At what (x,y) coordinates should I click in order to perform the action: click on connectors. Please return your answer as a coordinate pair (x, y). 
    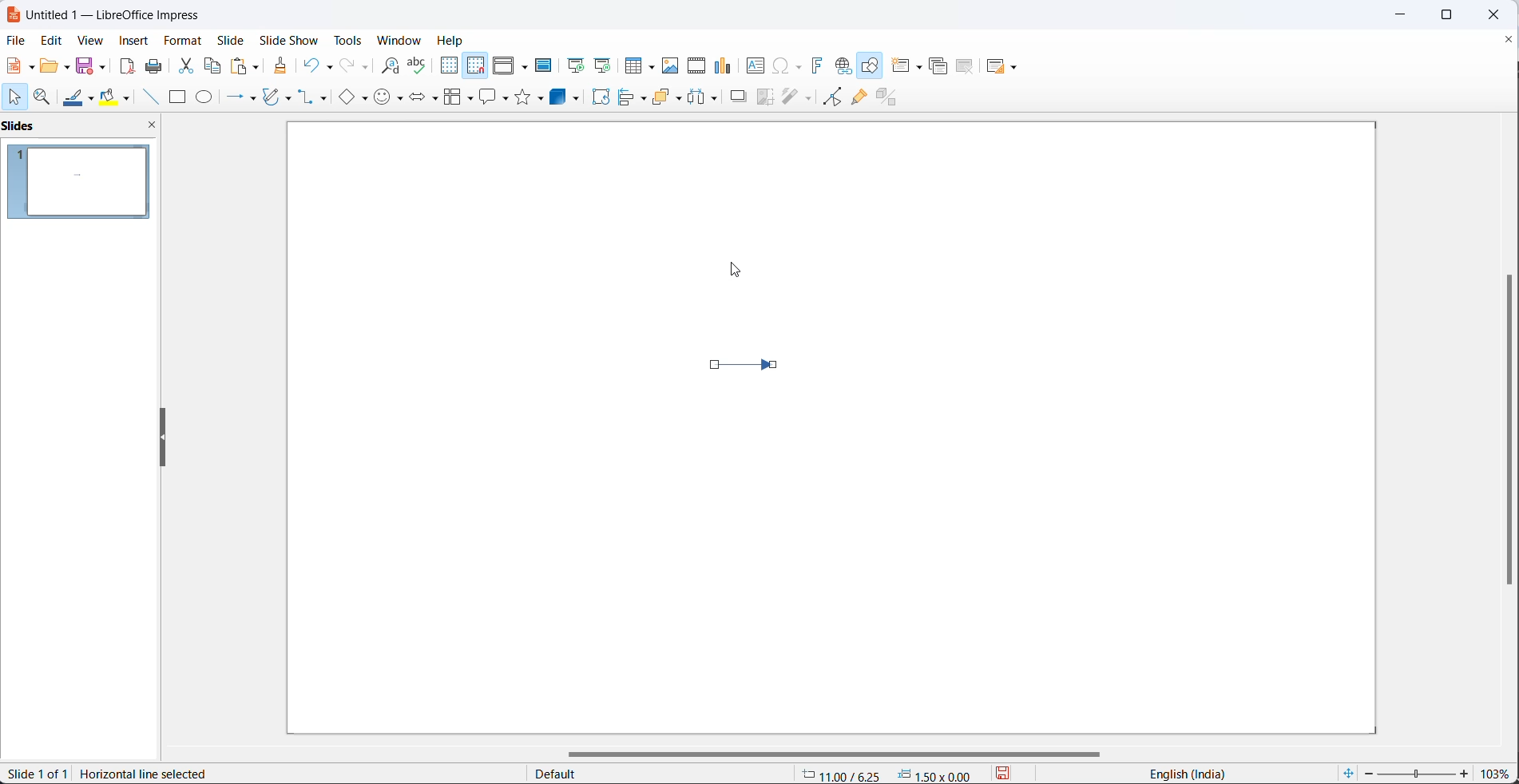
    Looking at the image, I should click on (315, 98).